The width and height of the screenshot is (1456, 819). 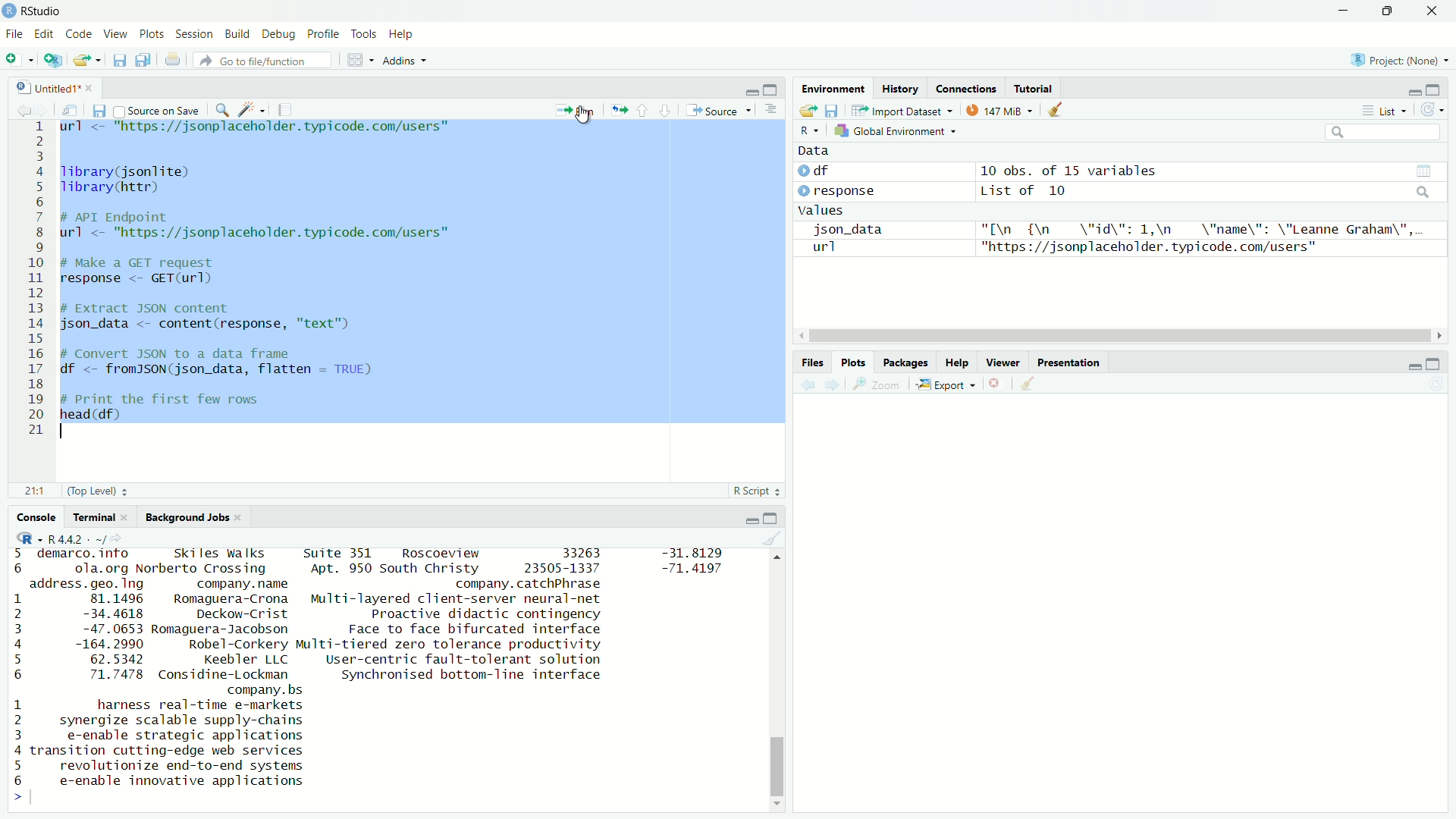 What do you see at coordinates (749, 90) in the screenshot?
I see `Minimize` at bounding box center [749, 90].